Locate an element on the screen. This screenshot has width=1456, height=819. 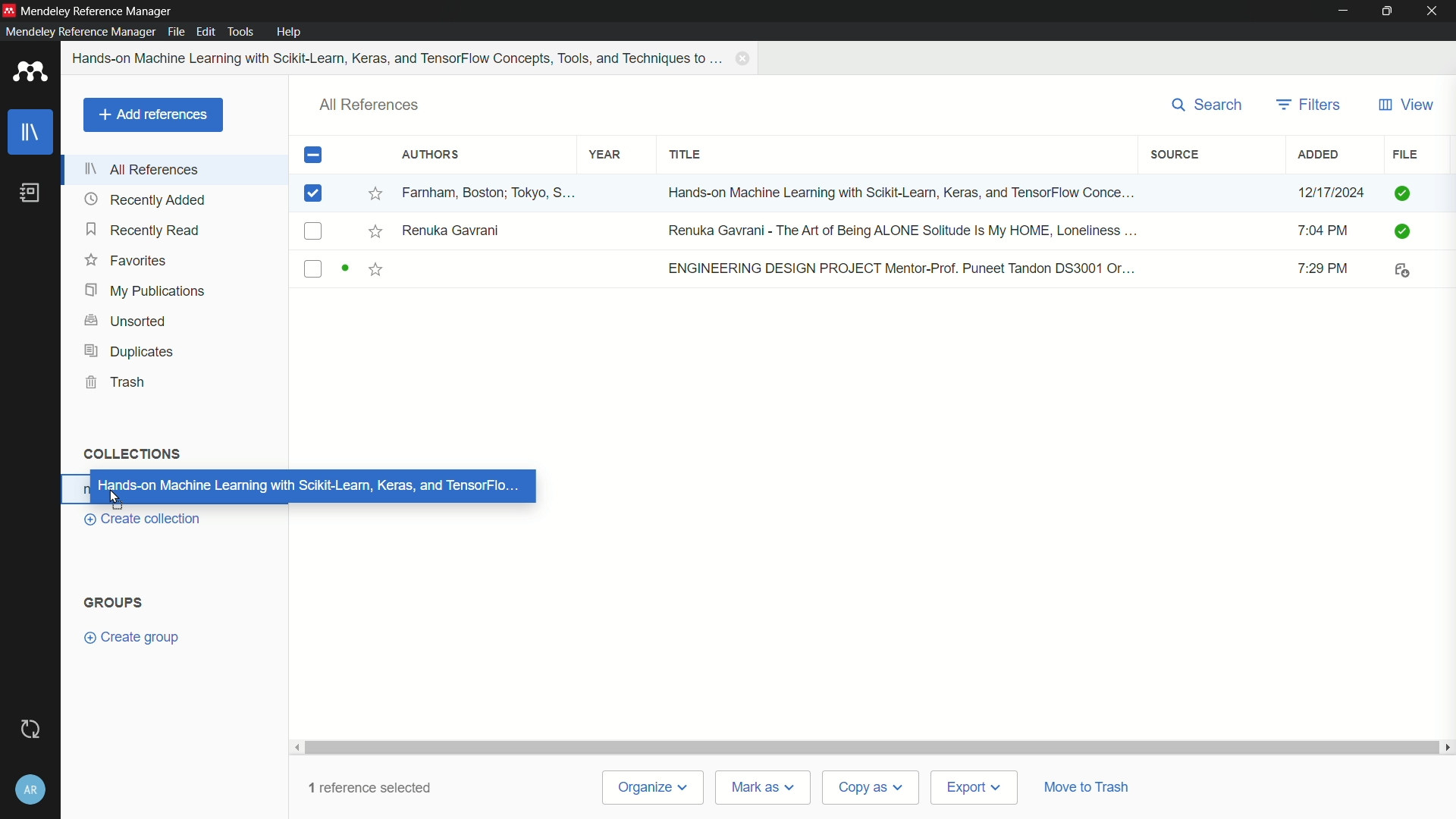
help menu is located at coordinates (290, 32).